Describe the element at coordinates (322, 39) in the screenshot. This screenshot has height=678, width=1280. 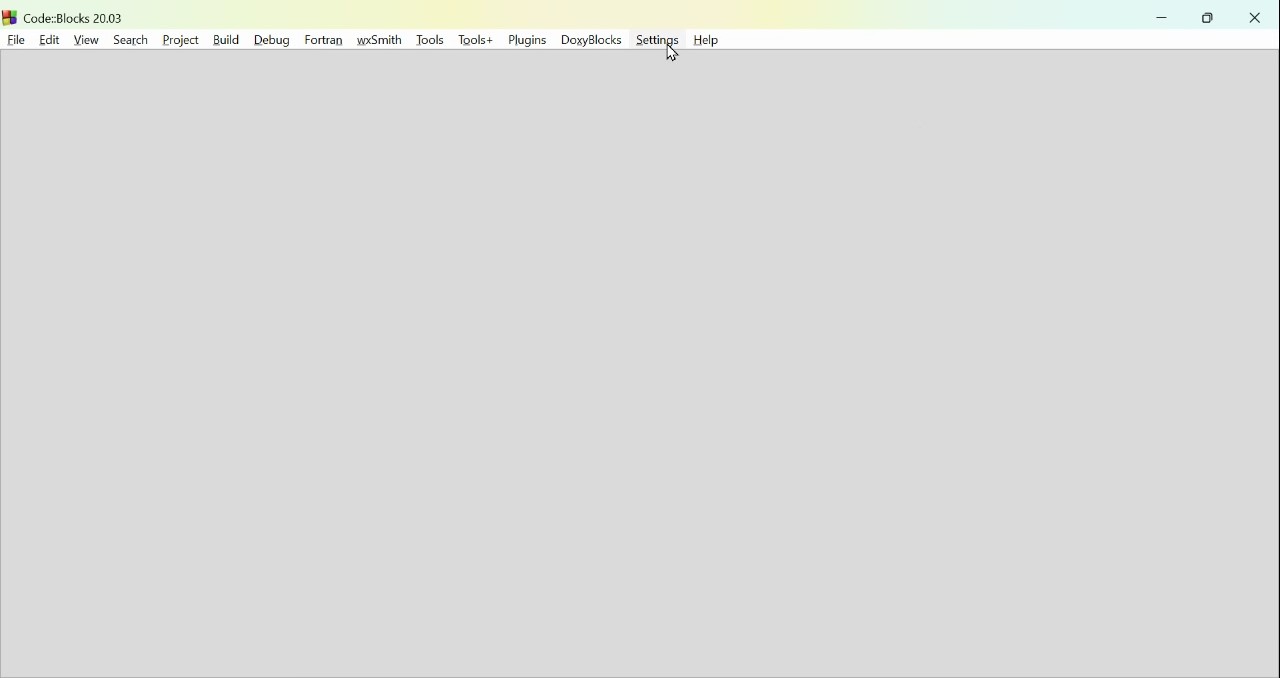
I see `fortran` at that location.